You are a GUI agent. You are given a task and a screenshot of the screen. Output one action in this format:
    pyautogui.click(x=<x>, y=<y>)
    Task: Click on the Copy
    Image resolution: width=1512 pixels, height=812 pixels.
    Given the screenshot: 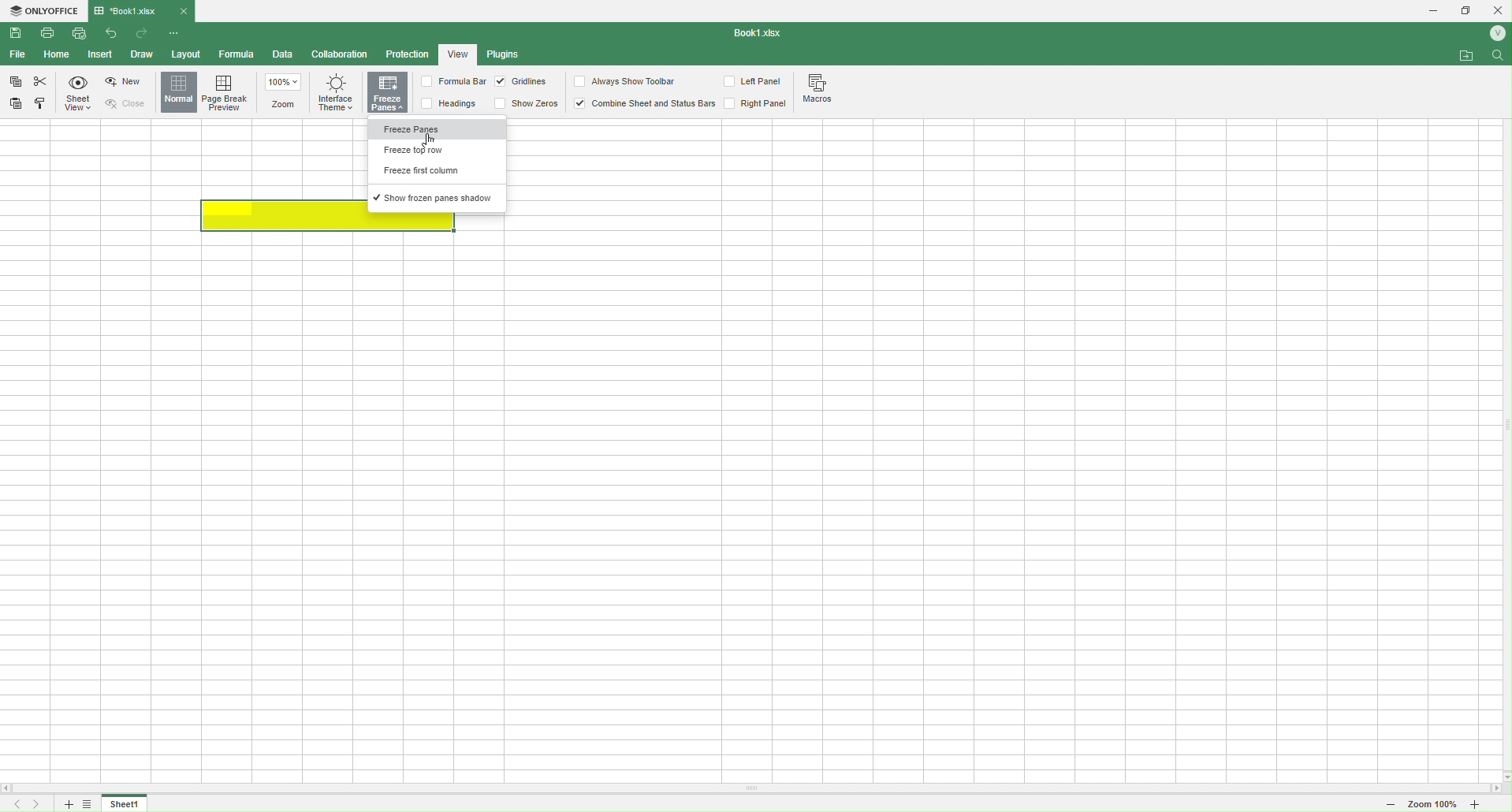 What is the action you would take?
    pyautogui.click(x=16, y=84)
    